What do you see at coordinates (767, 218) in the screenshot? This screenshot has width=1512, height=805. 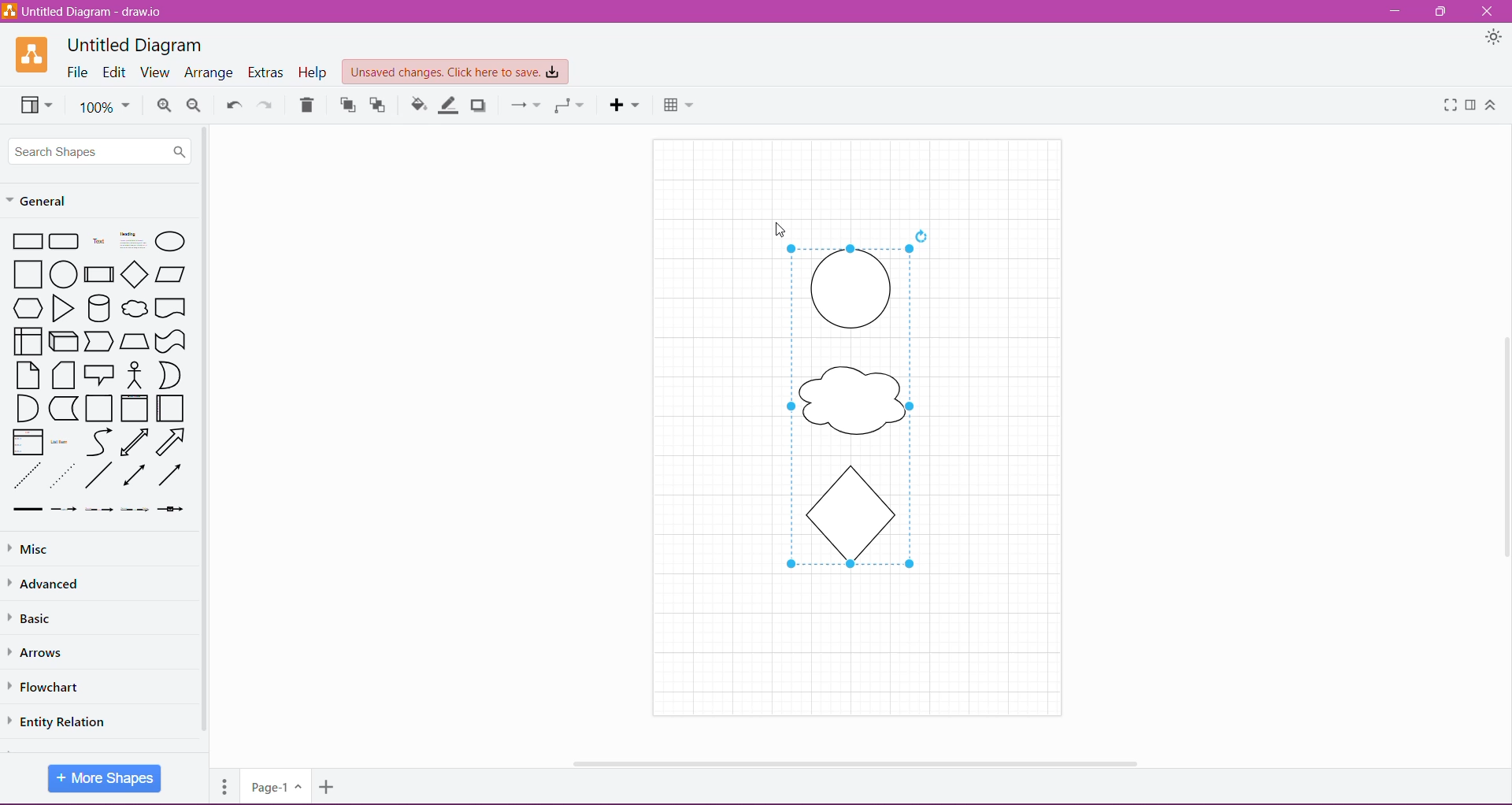 I see `Cursor` at bounding box center [767, 218].